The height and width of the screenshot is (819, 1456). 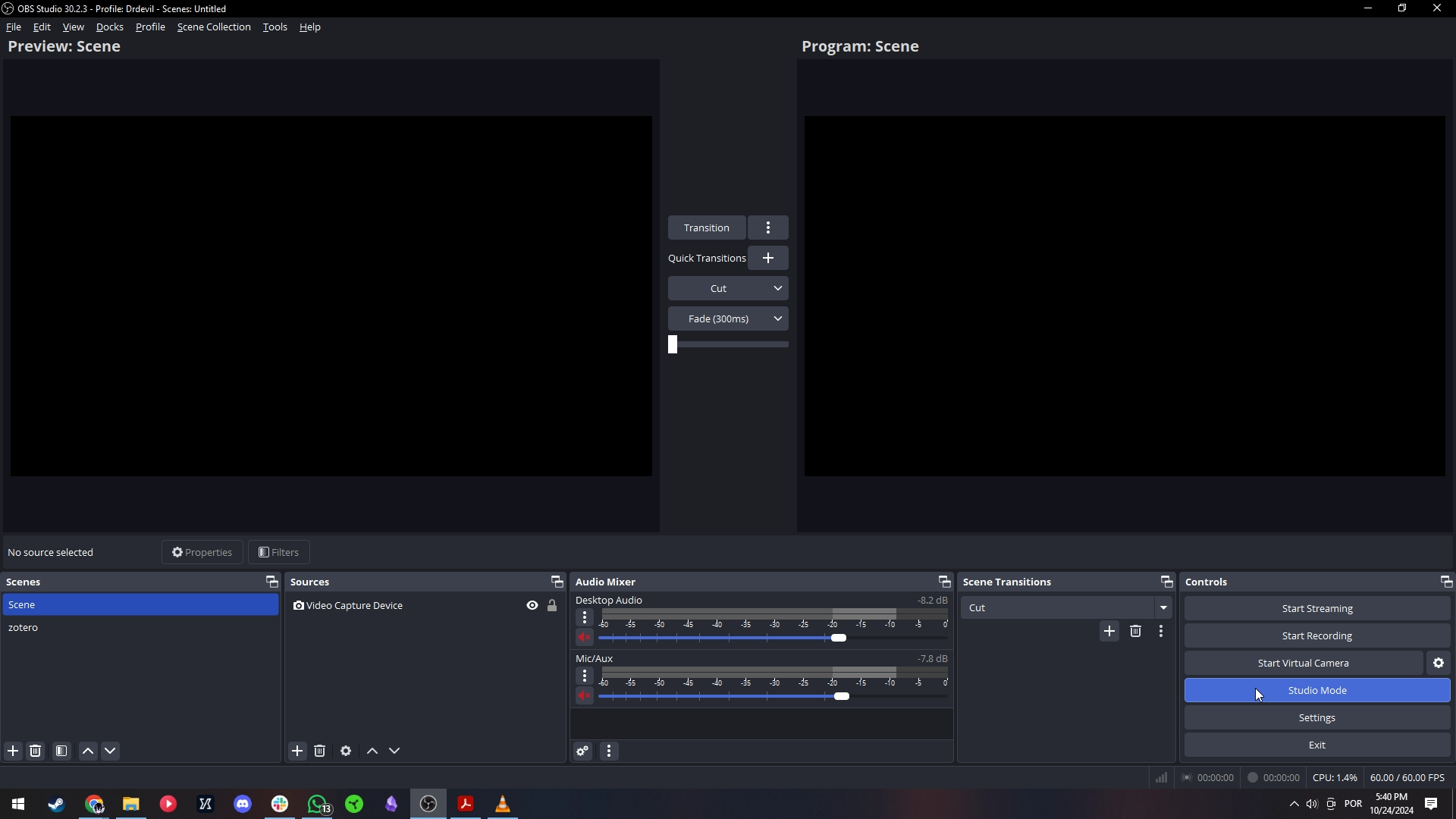 I want to click on Restore down, so click(x=1402, y=9).